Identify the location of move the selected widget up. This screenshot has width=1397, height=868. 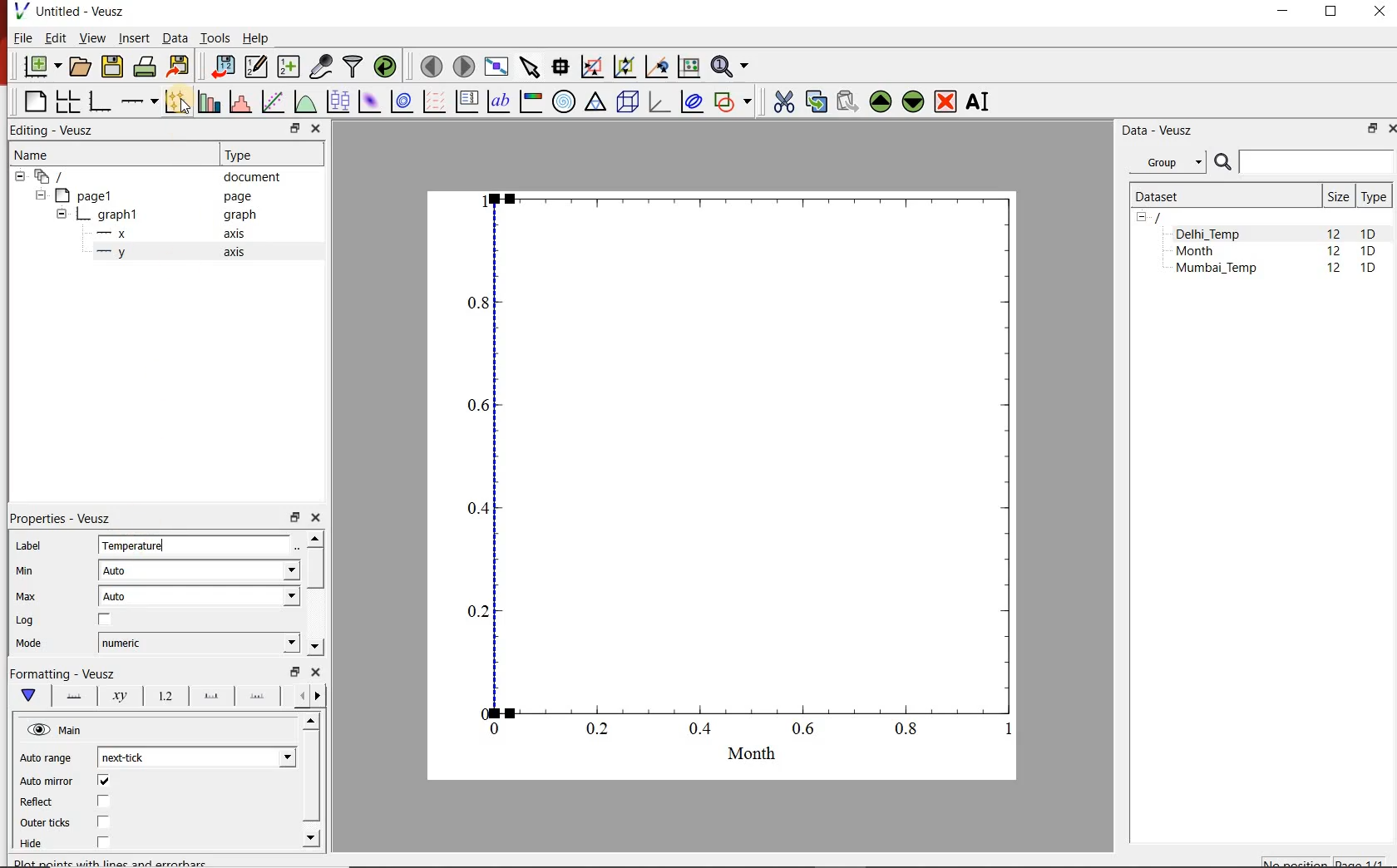
(880, 101).